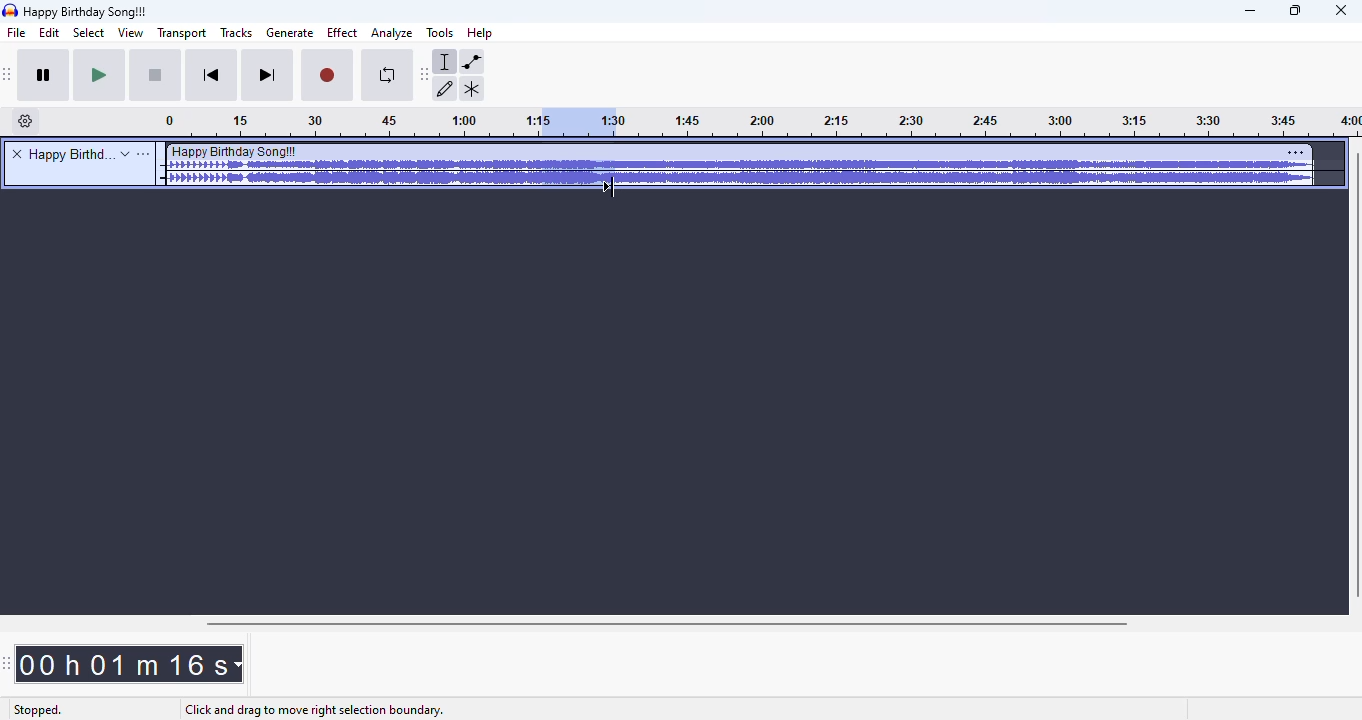 This screenshot has height=720, width=1362. I want to click on horizontal scroll bar, so click(669, 624).